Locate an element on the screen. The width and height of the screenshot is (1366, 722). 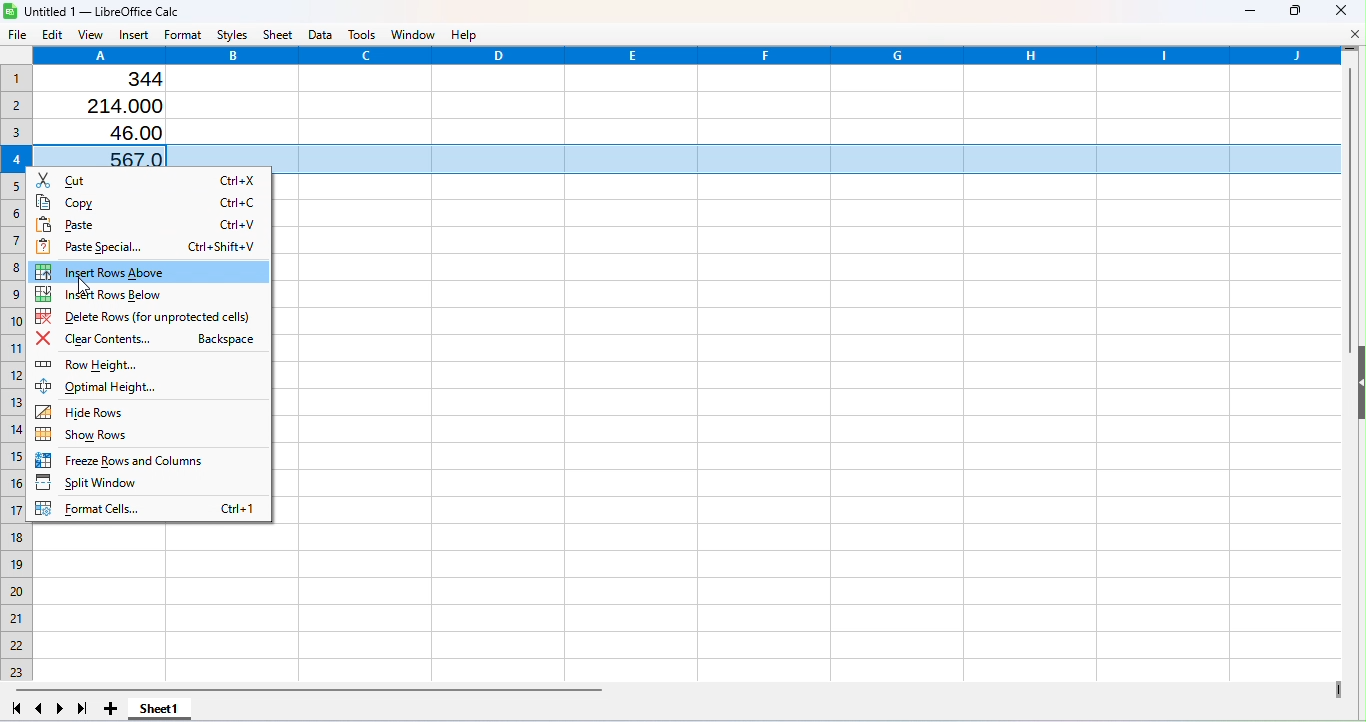
Rows is located at coordinates (14, 368).